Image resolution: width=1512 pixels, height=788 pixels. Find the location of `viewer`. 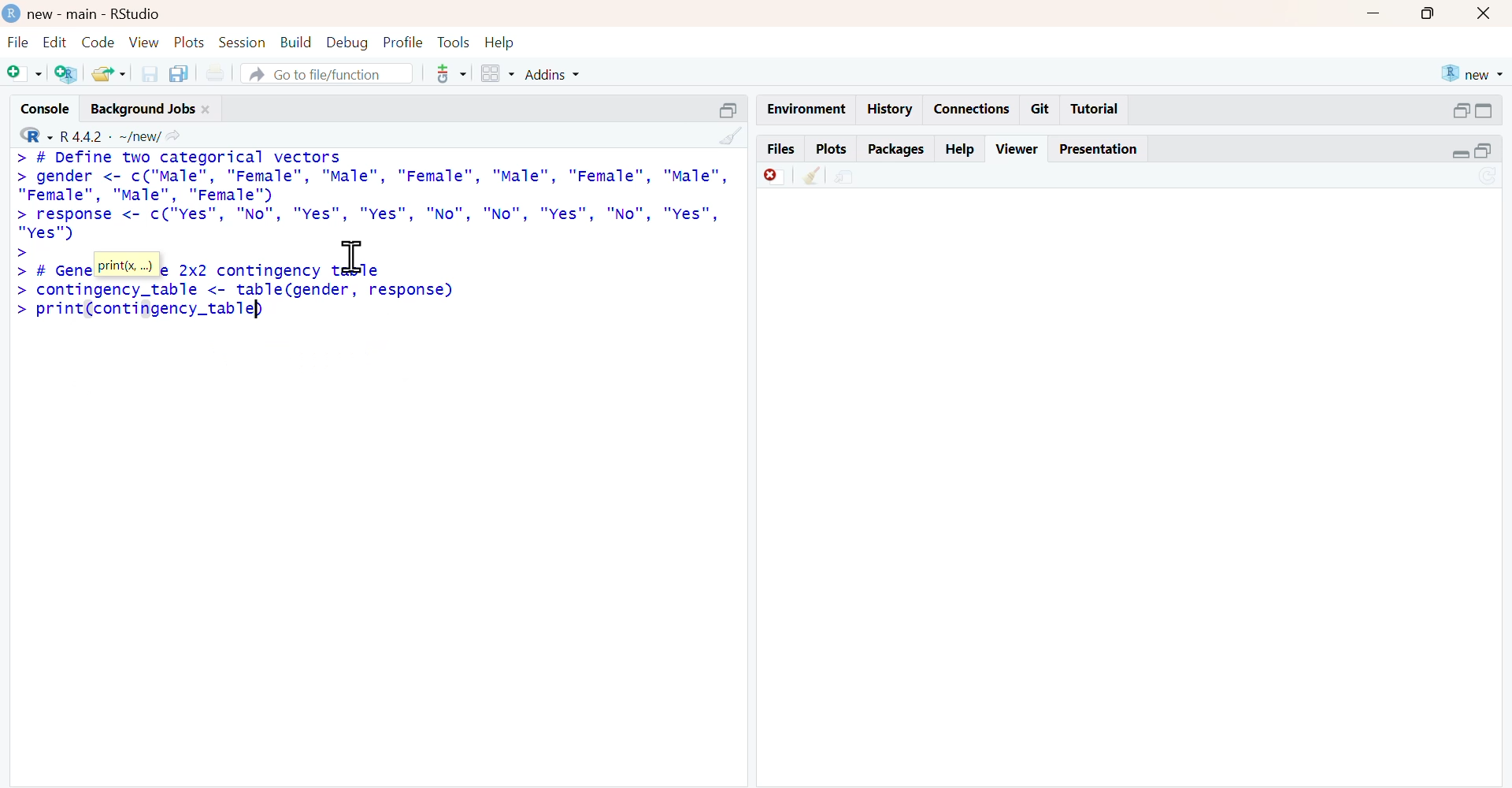

viewer is located at coordinates (1017, 149).